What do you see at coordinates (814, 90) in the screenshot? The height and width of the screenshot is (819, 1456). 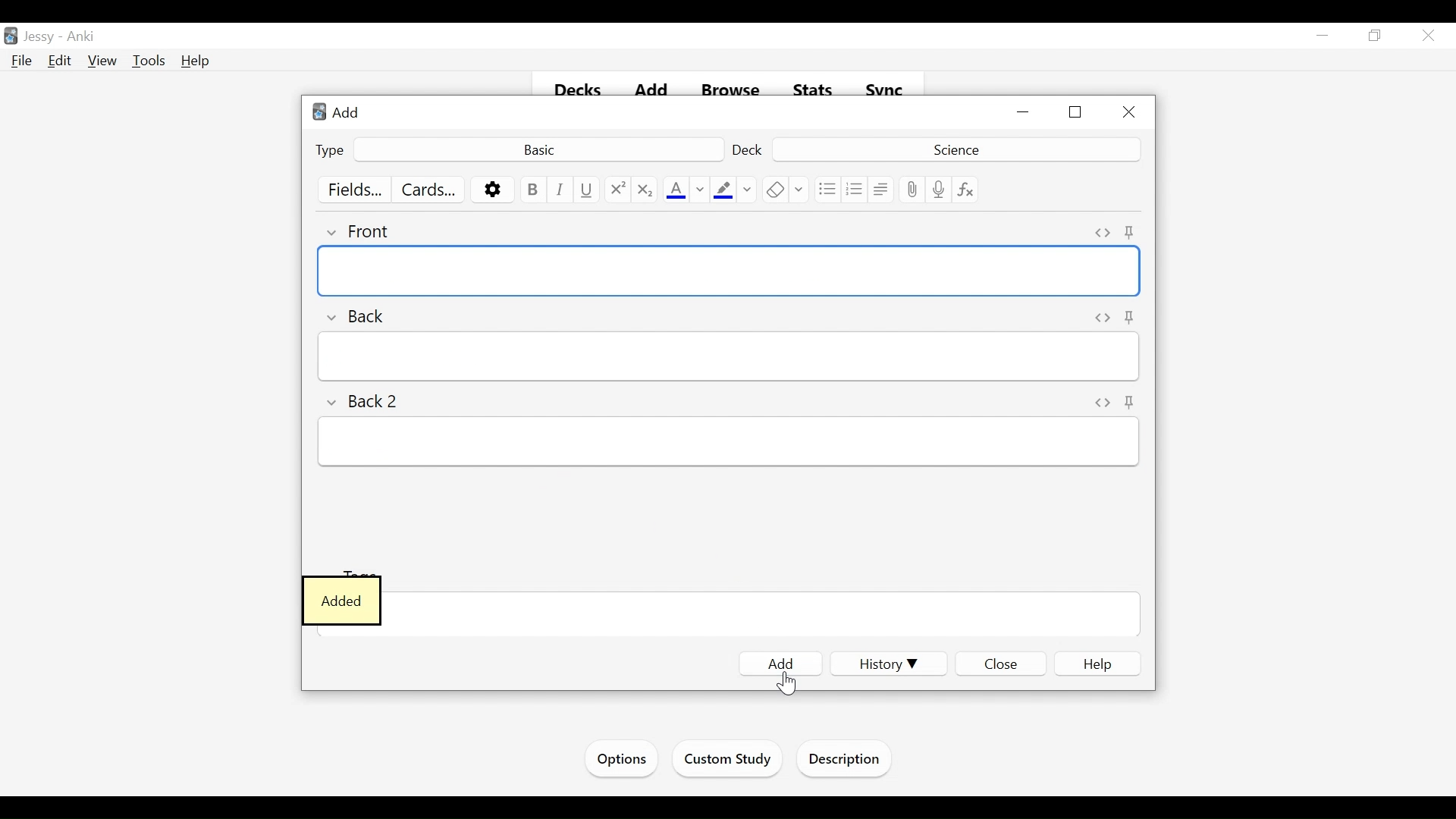 I see `Stats` at bounding box center [814, 90].